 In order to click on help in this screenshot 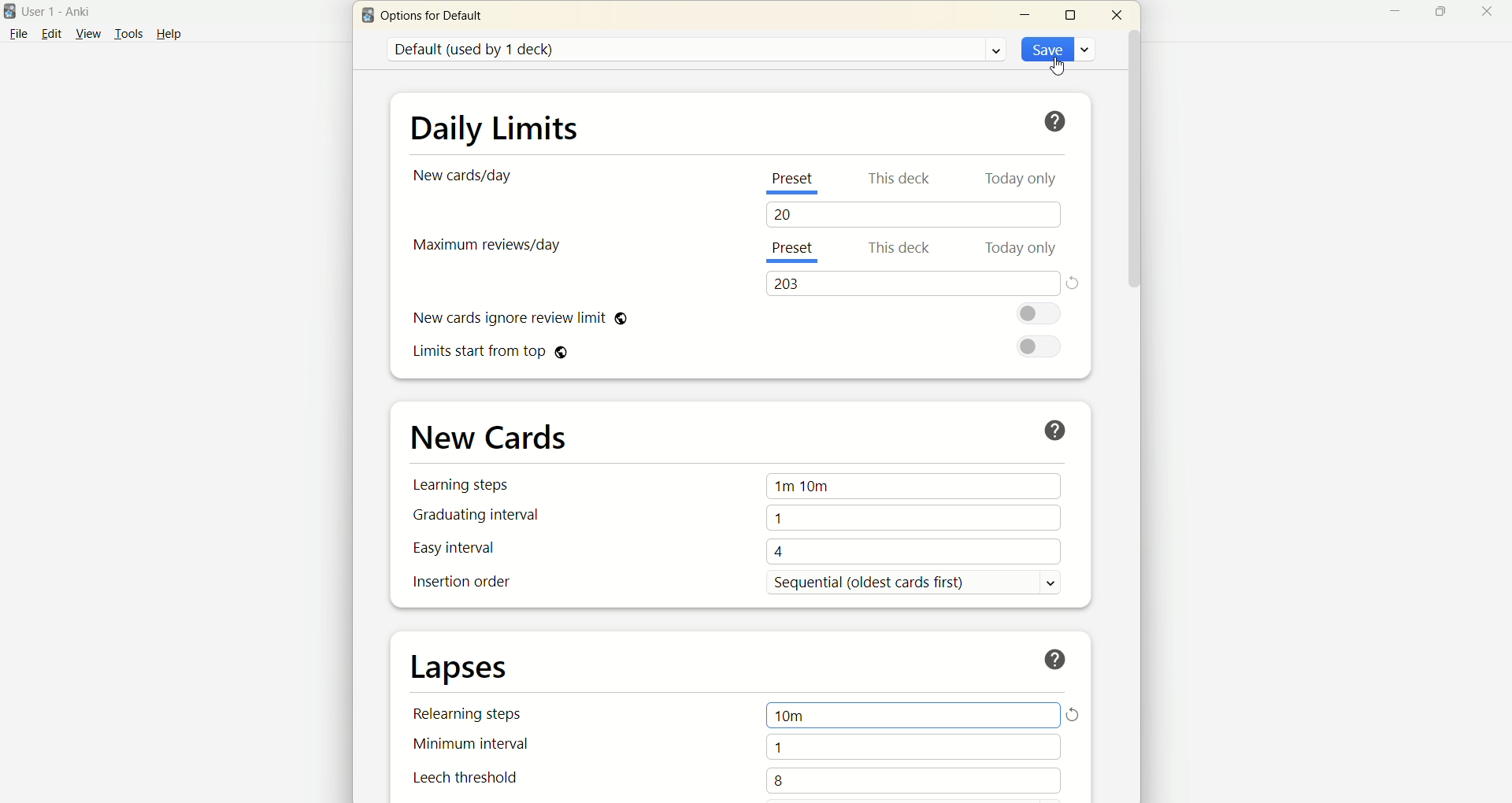, I will do `click(1055, 121)`.